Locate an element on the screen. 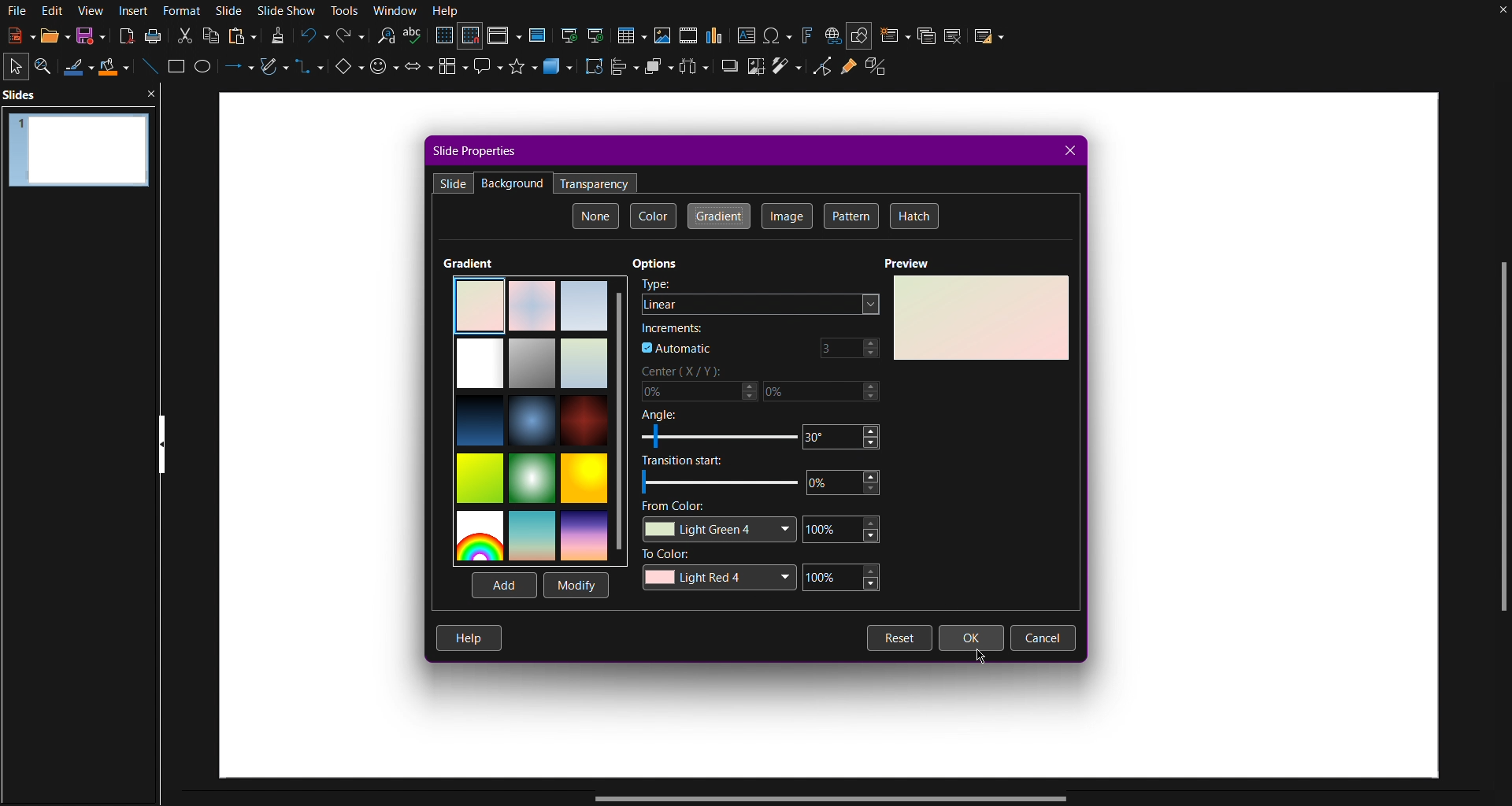  Linear is located at coordinates (759, 304).